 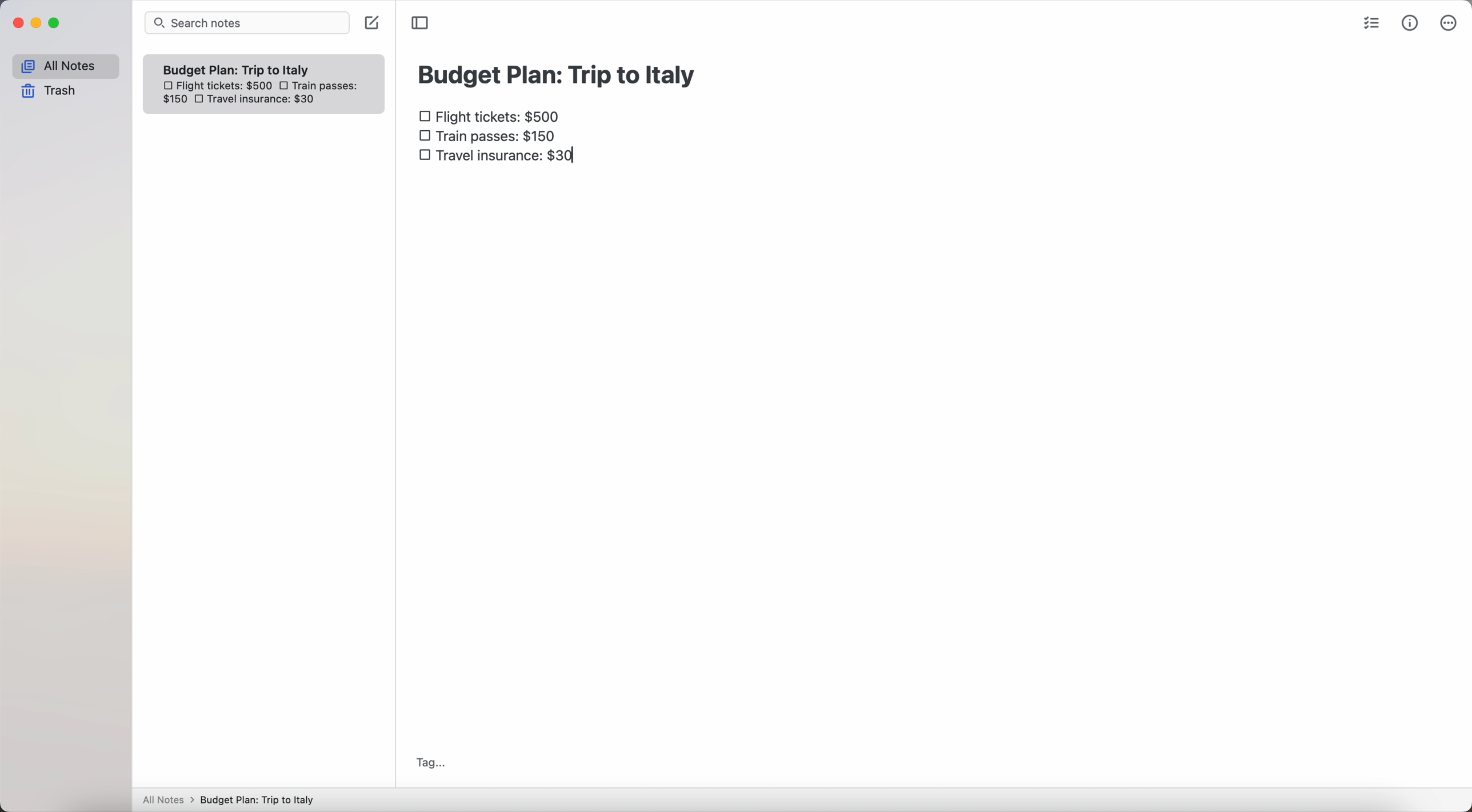 What do you see at coordinates (39, 23) in the screenshot?
I see `minimize` at bounding box center [39, 23].